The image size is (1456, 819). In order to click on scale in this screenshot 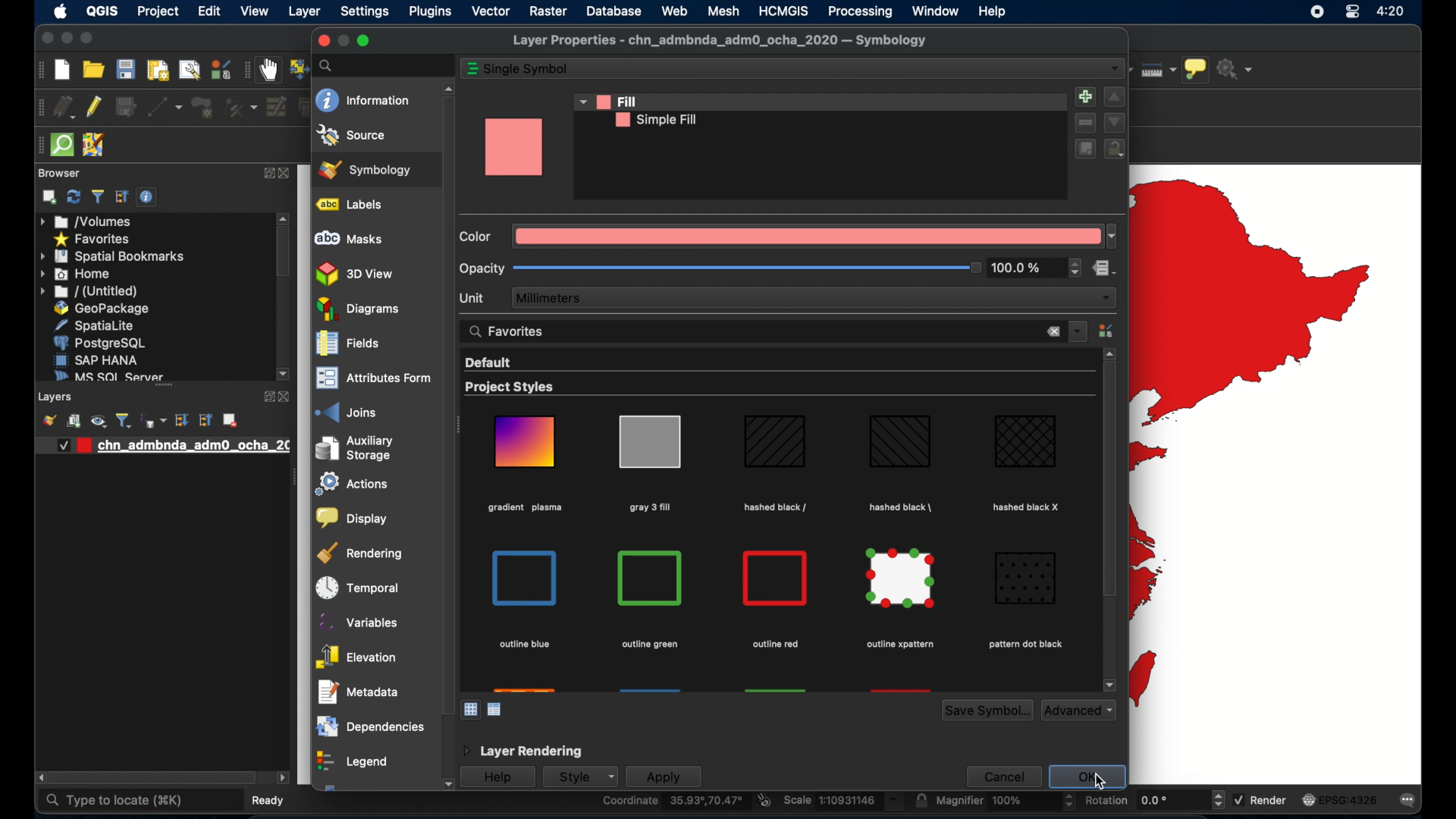, I will do `click(842, 802)`.